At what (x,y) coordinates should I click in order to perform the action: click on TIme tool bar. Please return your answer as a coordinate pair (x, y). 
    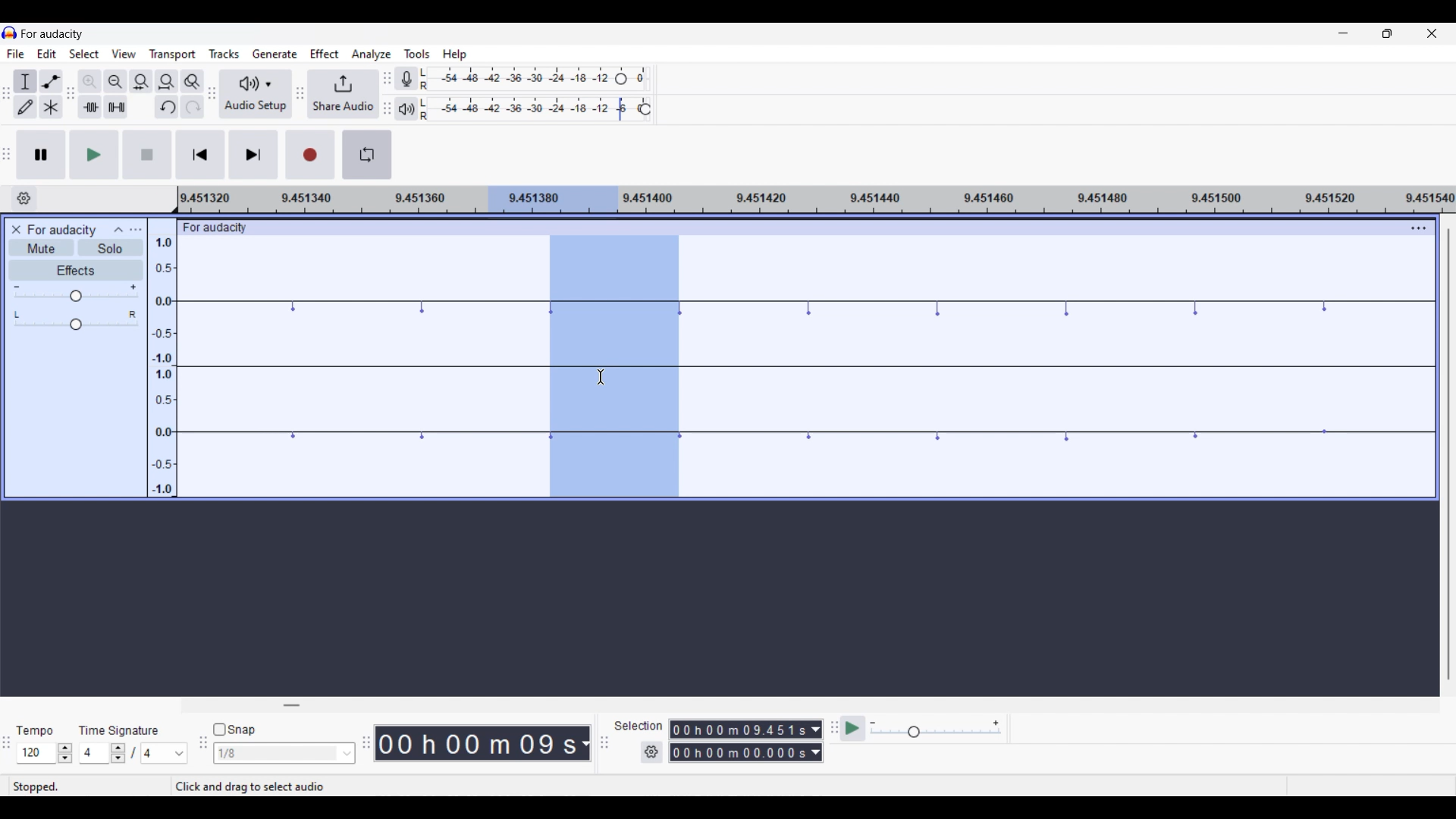
    Looking at the image, I should click on (366, 741).